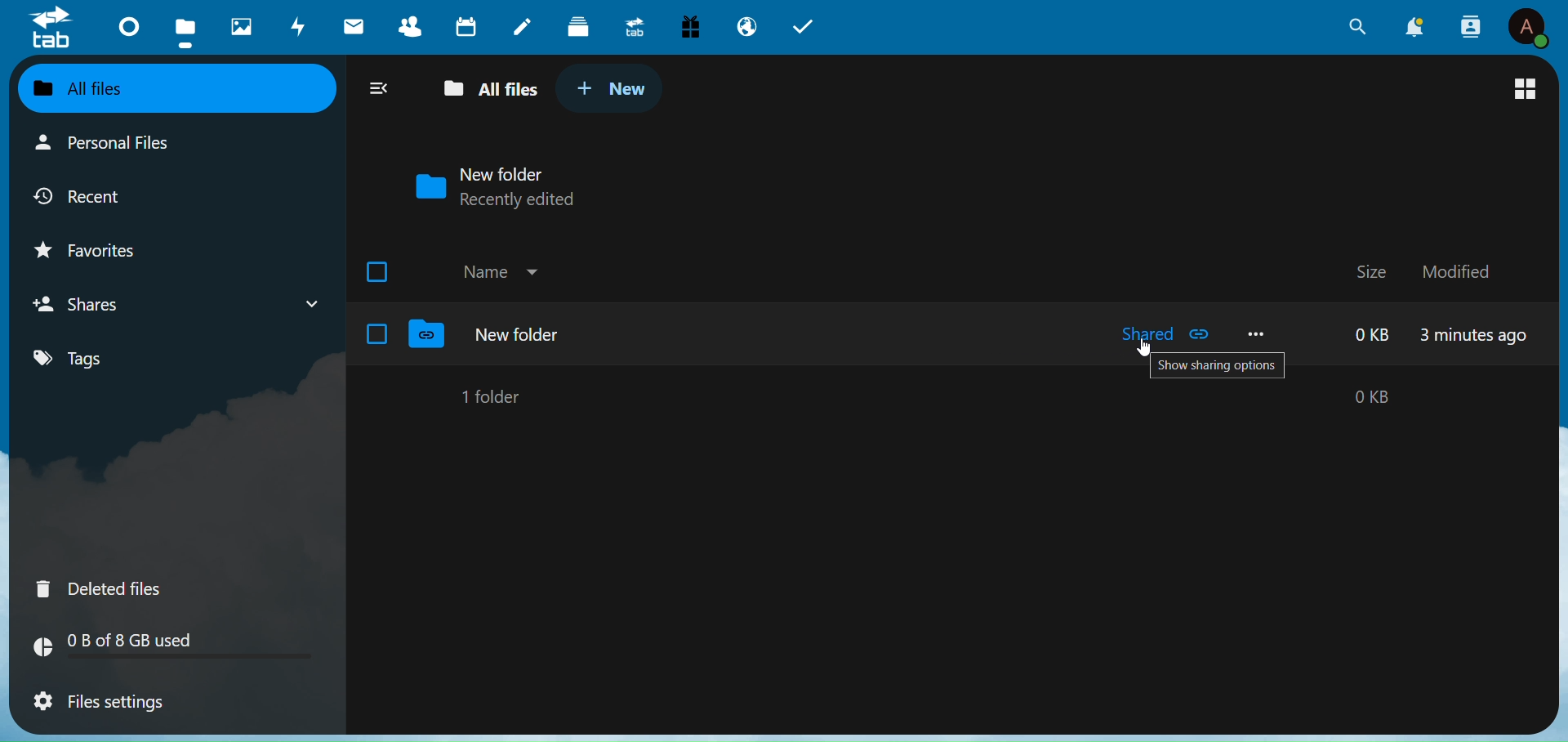 The height and width of the screenshot is (742, 1568). Describe the element at coordinates (123, 25) in the screenshot. I see `Dashboard` at that location.